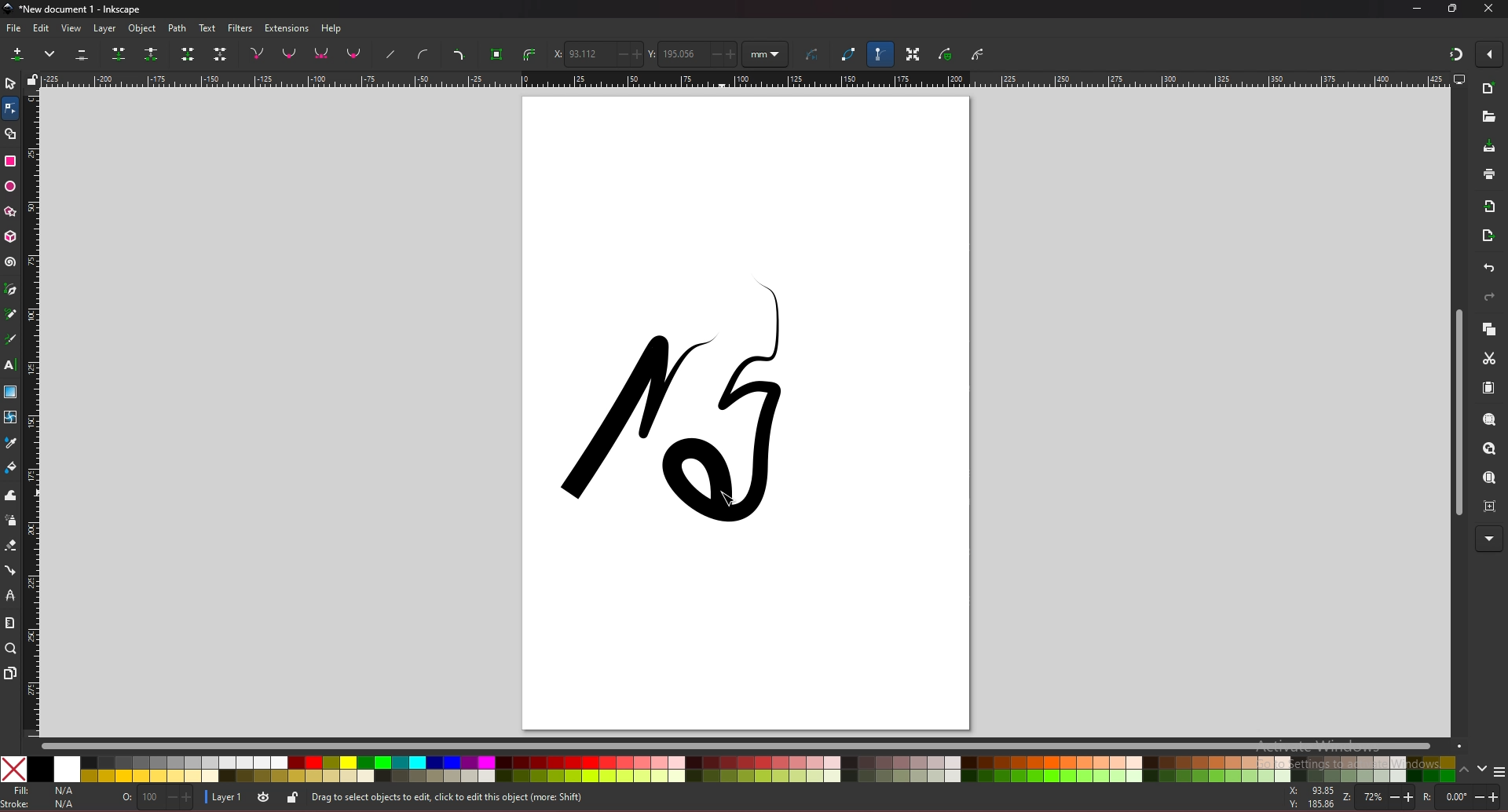 This screenshot has width=1508, height=812. I want to click on open, so click(1488, 117).